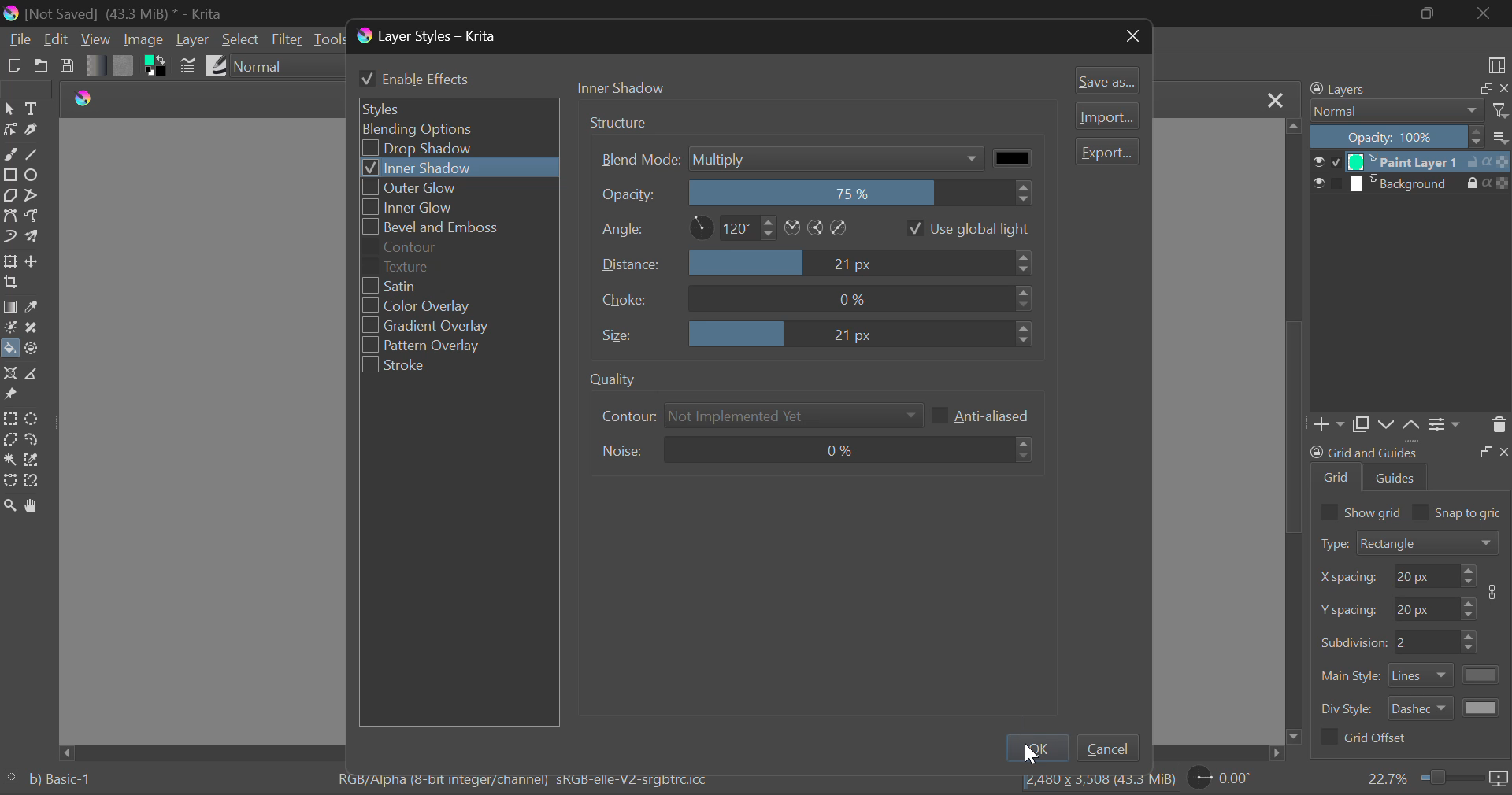 This screenshot has width=1512, height=795. Describe the element at coordinates (33, 418) in the screenshot. I see `Circular Selection` at that location.